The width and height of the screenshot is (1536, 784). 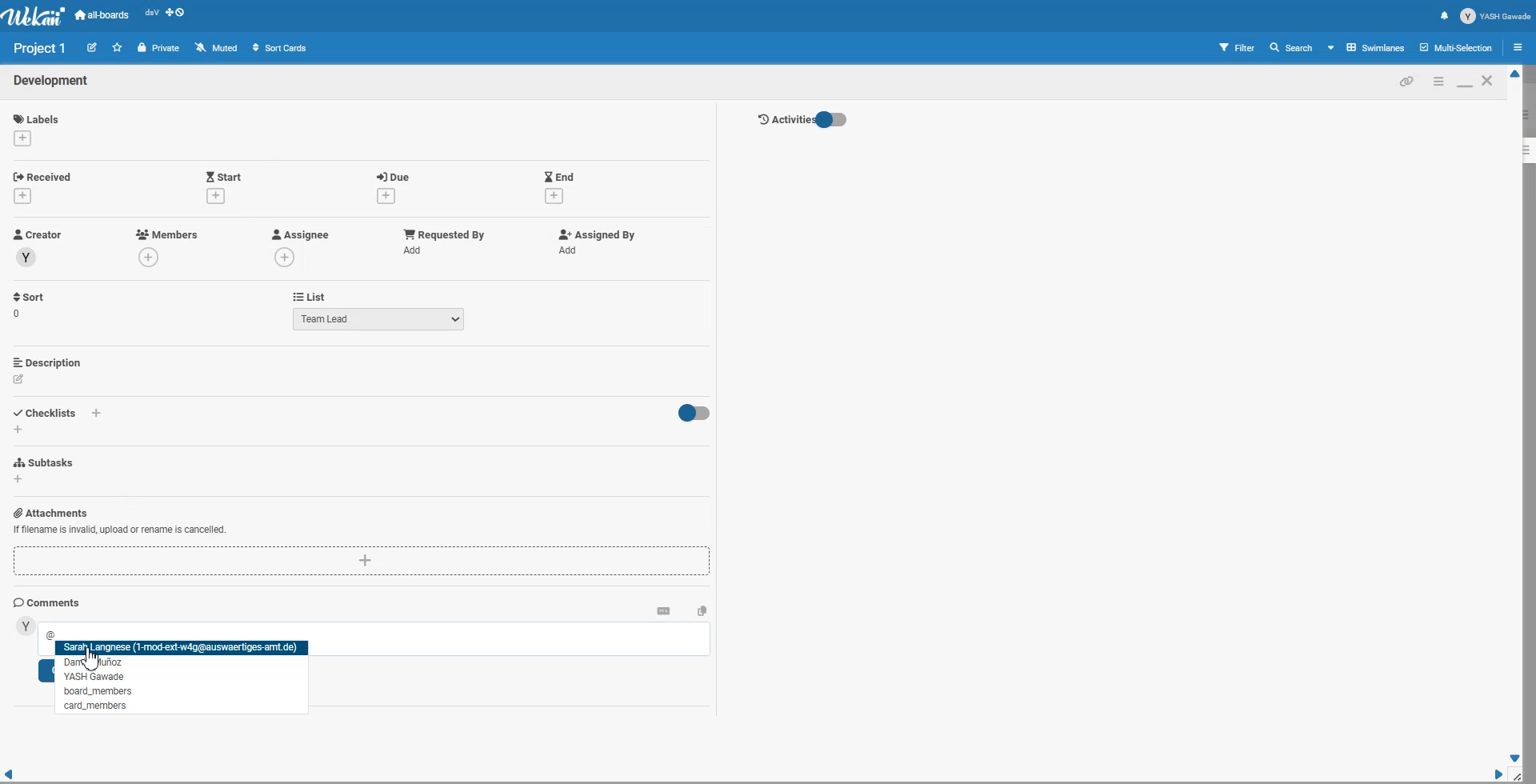 I want to click on Window Adjuster, so click(x=1521, y=776).